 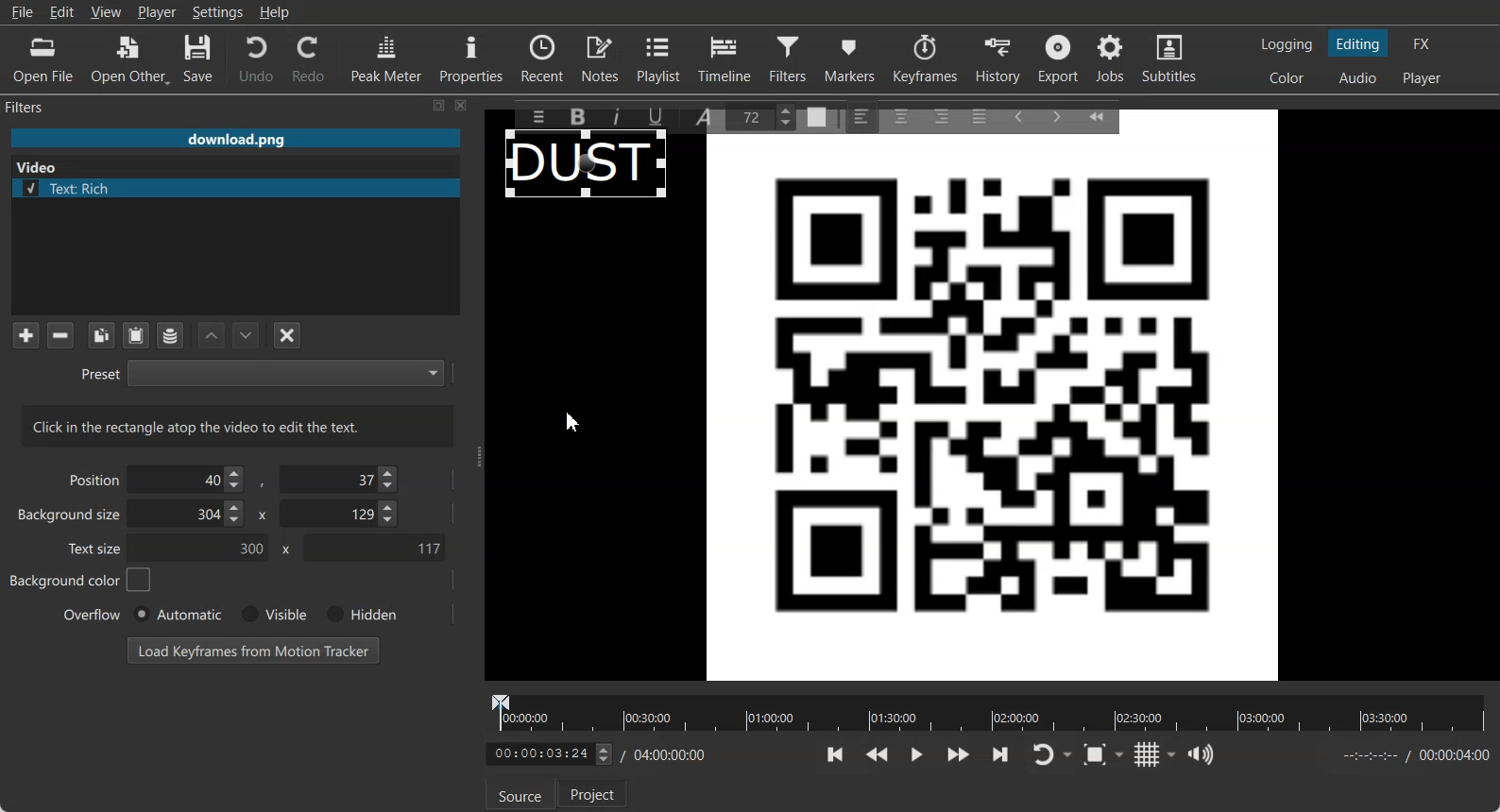 I want to click on Project, so click(x=594, y=793).